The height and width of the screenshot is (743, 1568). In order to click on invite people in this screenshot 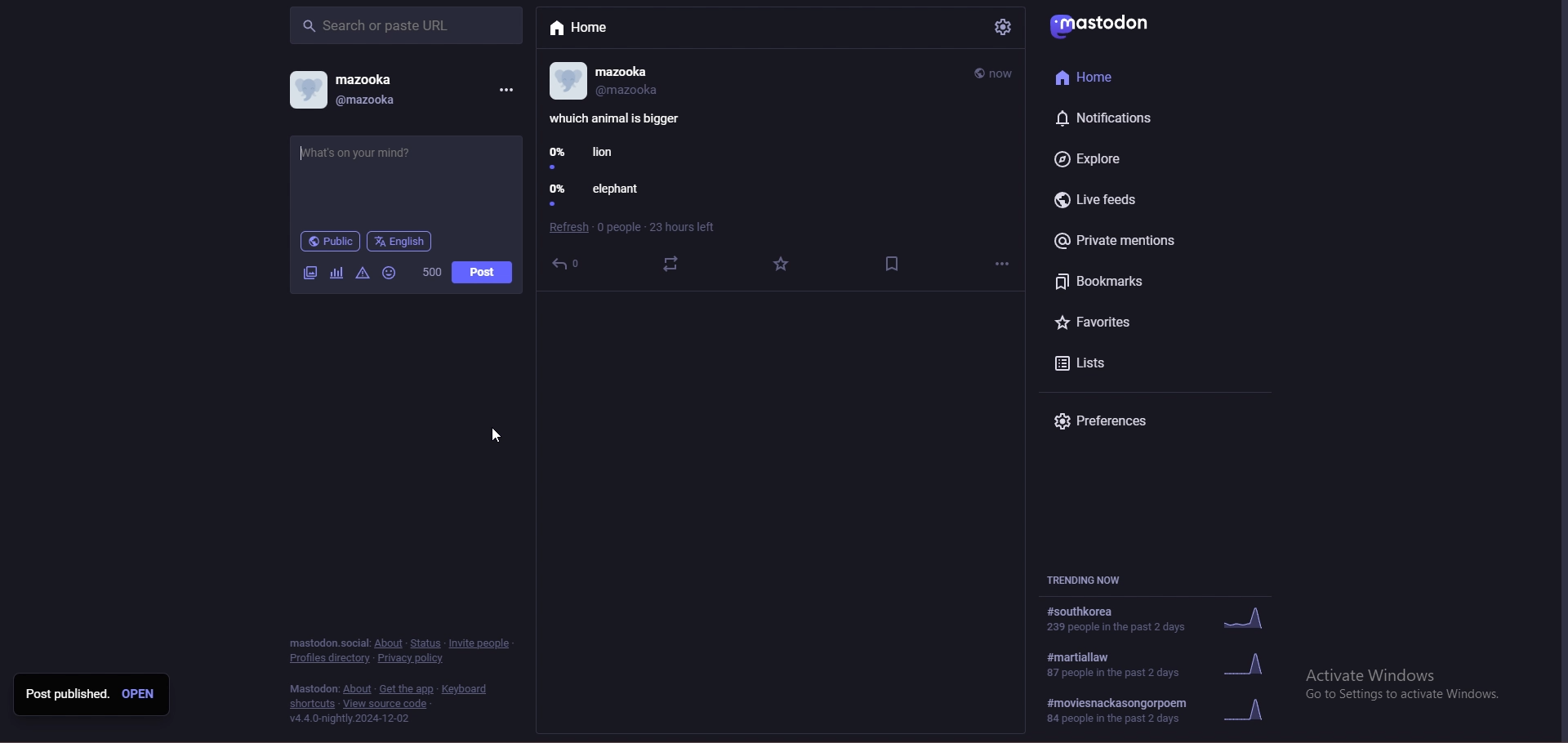, I will do `click(482, 642)`.